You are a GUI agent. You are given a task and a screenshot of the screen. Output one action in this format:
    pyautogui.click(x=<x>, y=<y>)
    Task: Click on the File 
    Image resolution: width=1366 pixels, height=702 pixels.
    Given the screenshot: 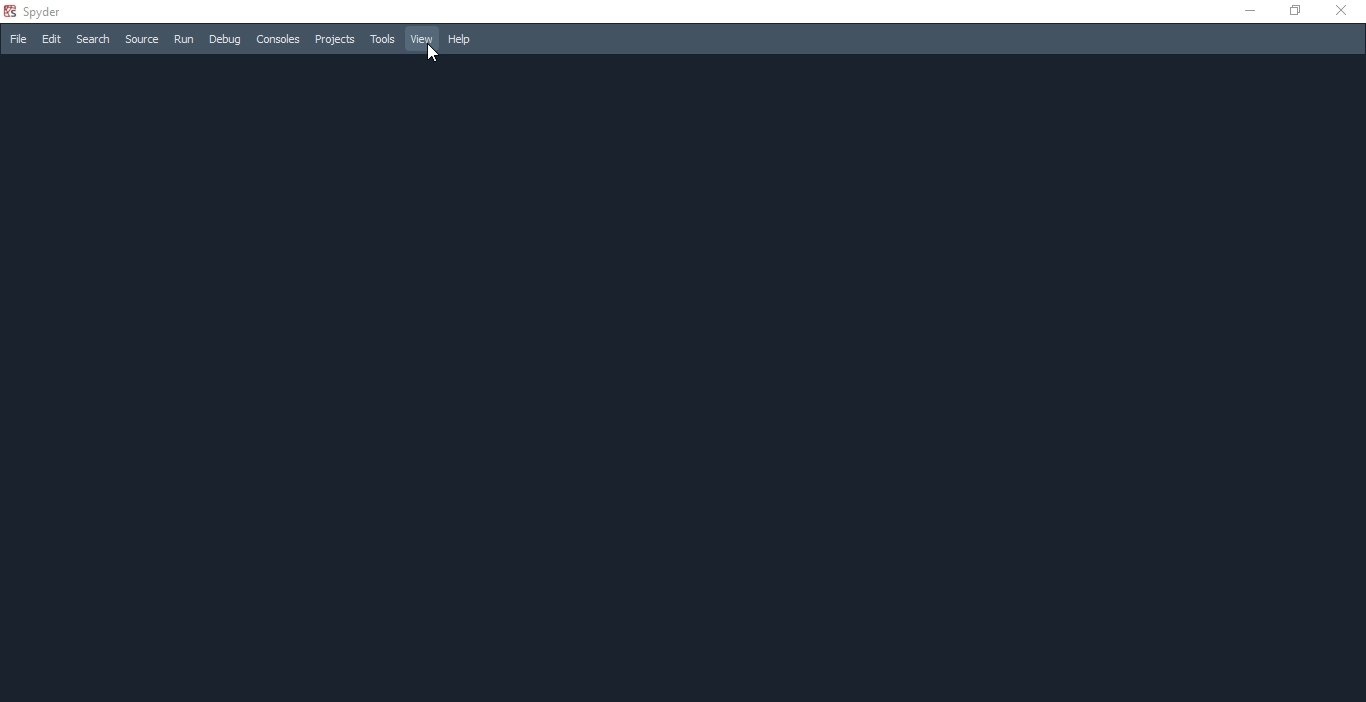 What is the action you would take?
    pyautogui.click(x=17, y=39)
    